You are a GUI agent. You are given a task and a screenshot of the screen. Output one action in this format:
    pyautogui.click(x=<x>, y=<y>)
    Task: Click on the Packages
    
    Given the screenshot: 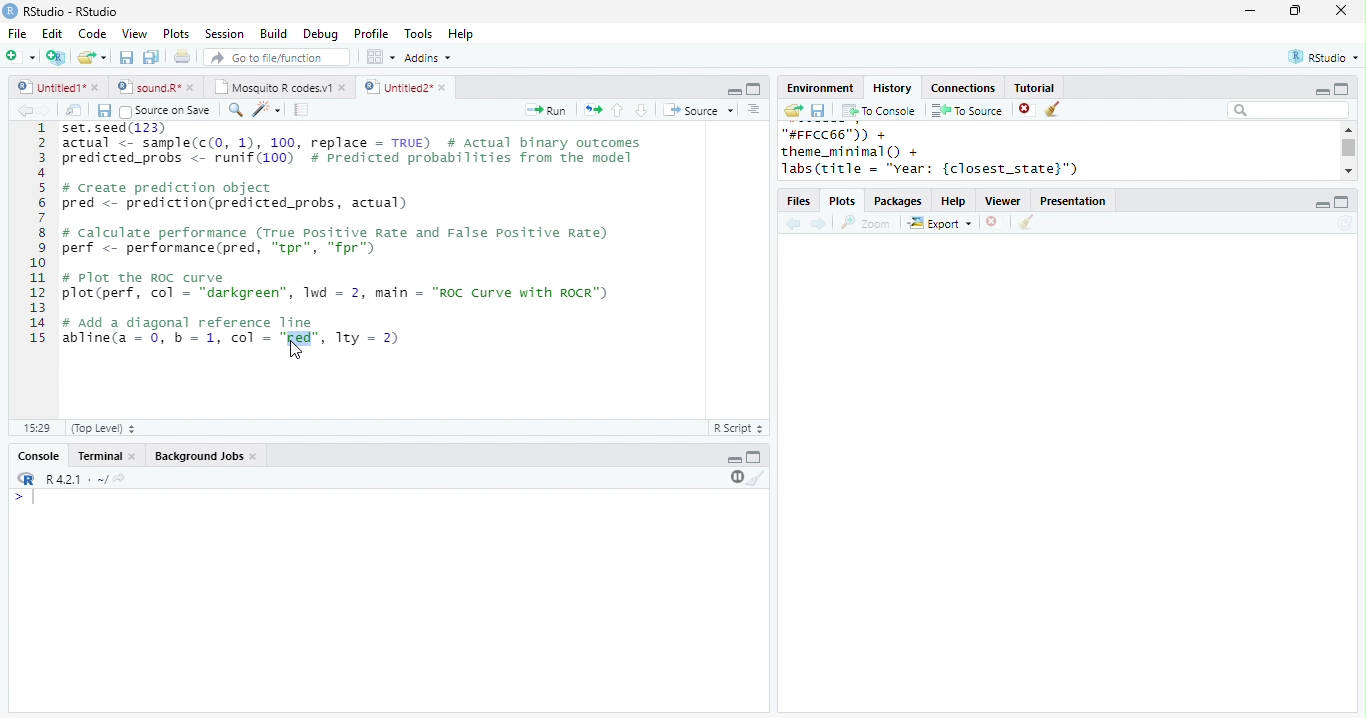 What is the action you would take?
    pyautogui.click(x=898, y=202)
    